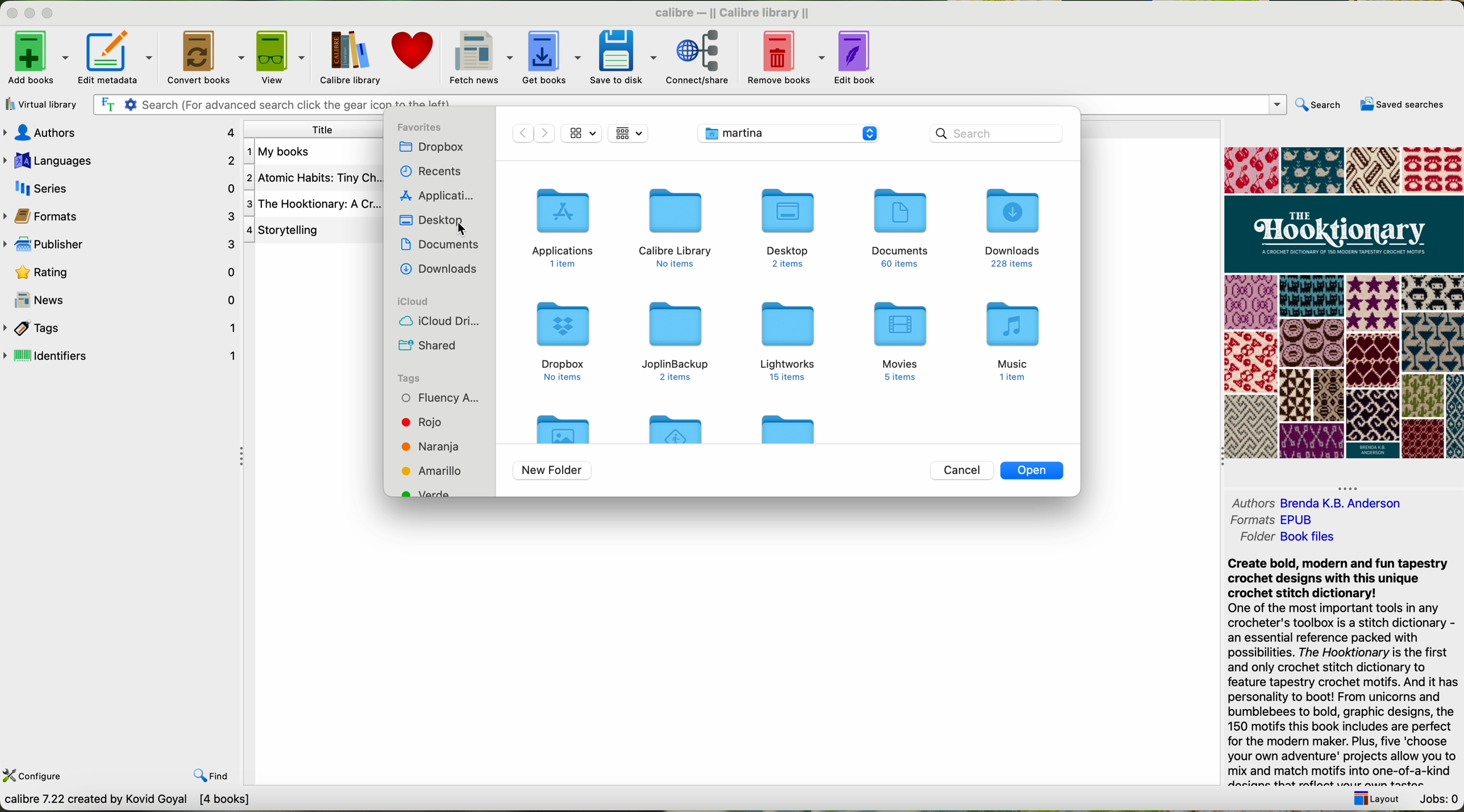  Describe the element at coordinates (787, 134) in the screenshot. I see `location` at that location.